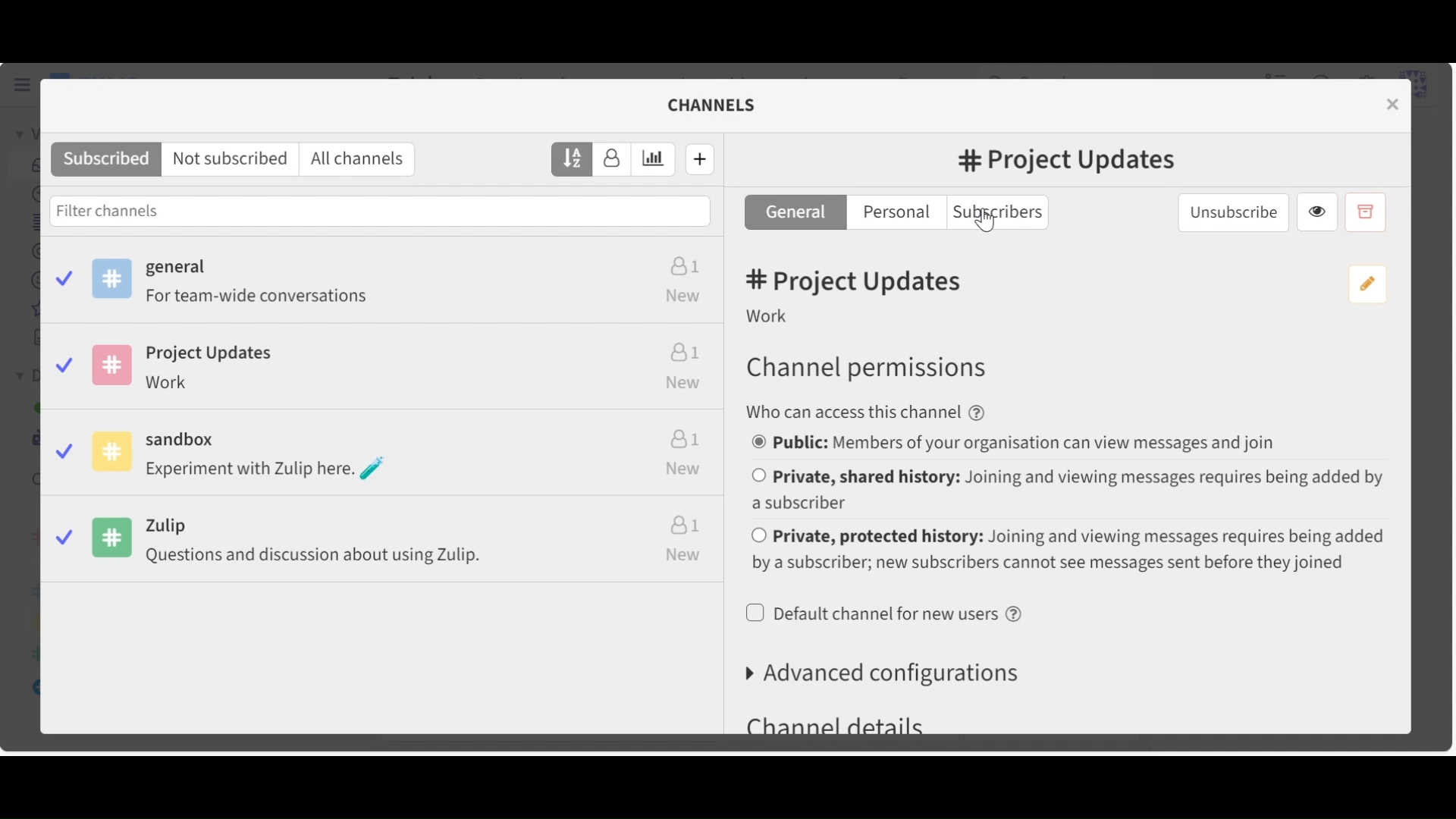  Describe the element at coordinates (229, 159) in the screenshot. I see `Not subscribed` at that location.